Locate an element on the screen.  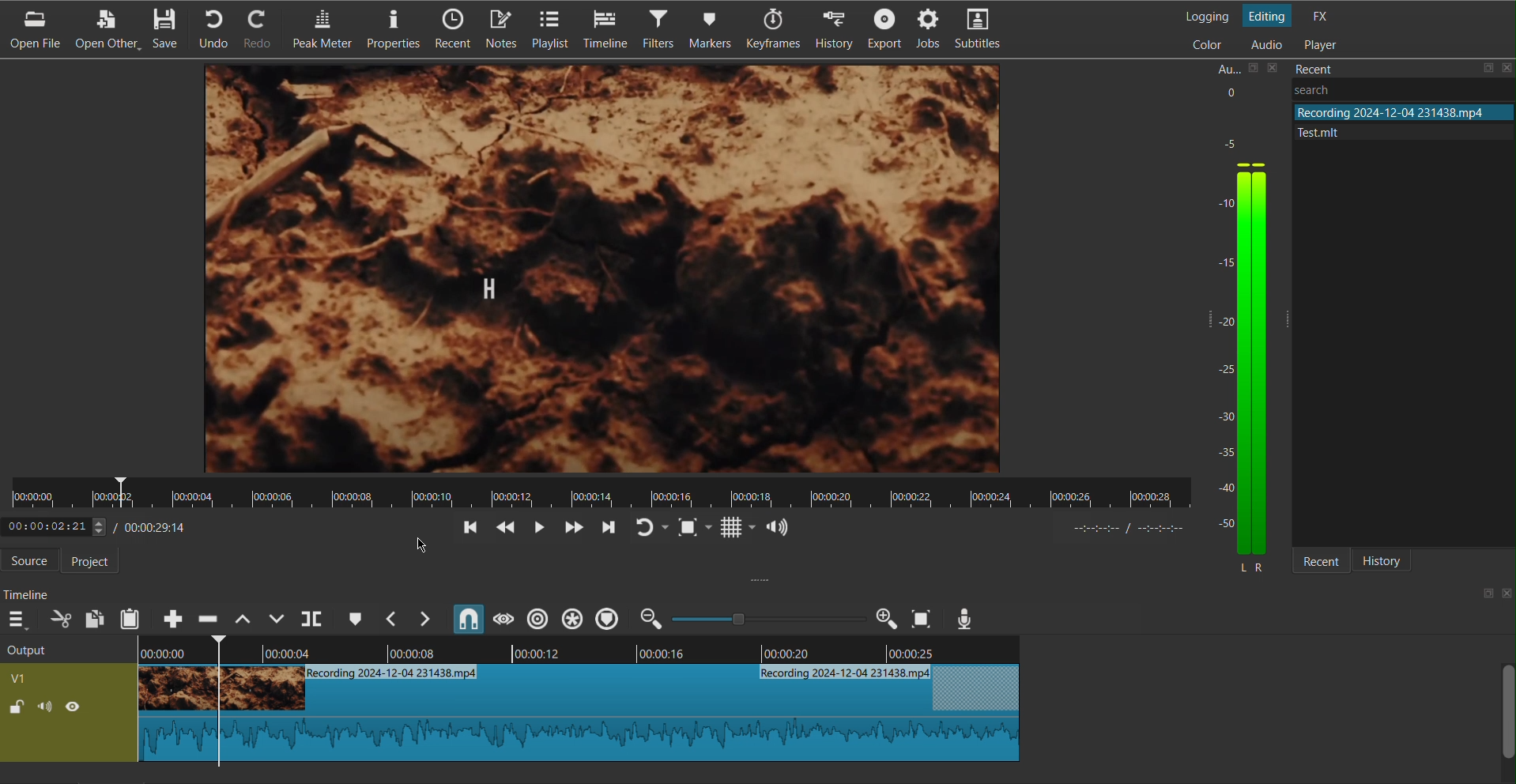
Clip is located at coordinates (627, 715).